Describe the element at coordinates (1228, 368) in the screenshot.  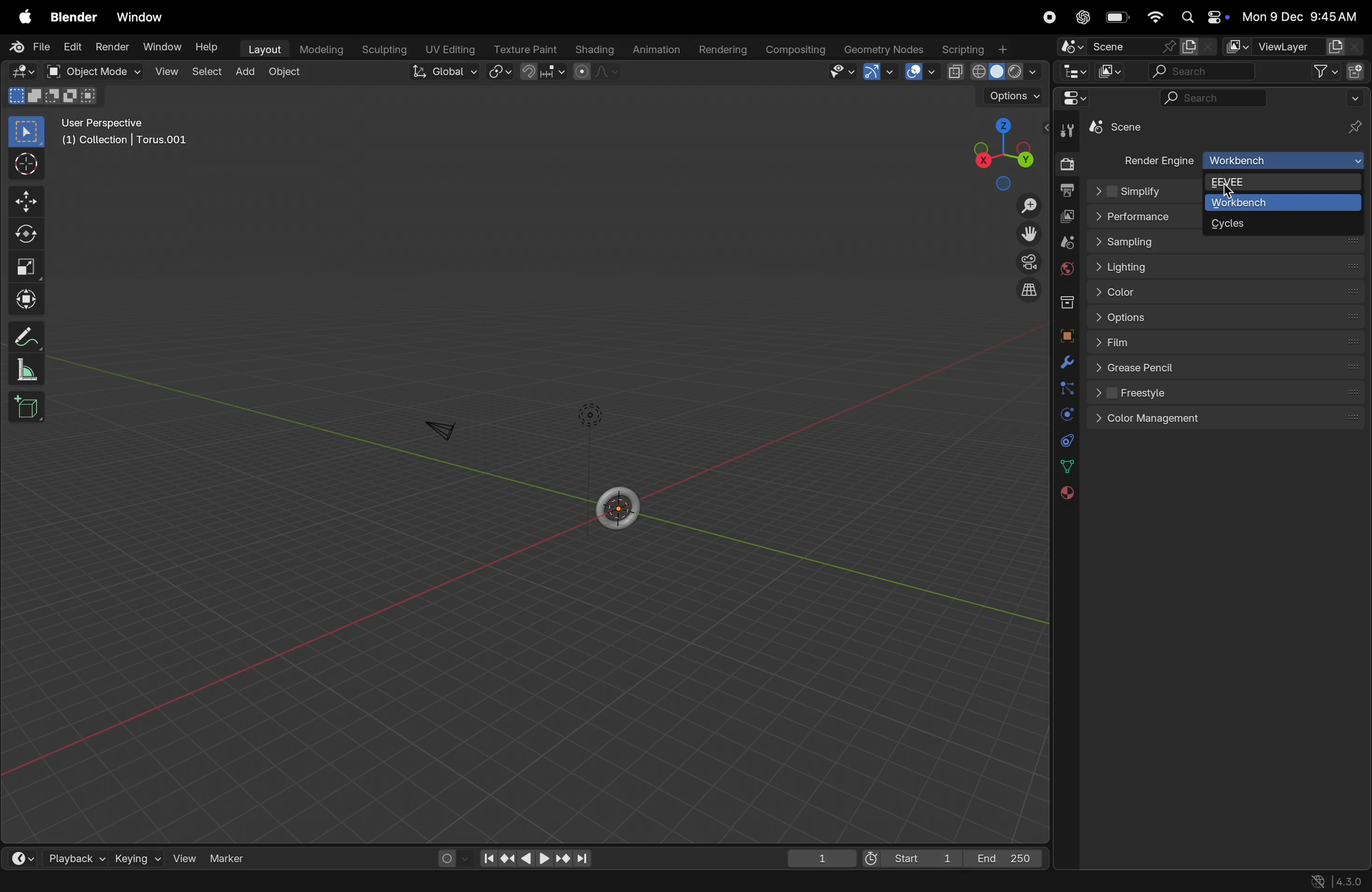
I see `Green pencil` at that location.